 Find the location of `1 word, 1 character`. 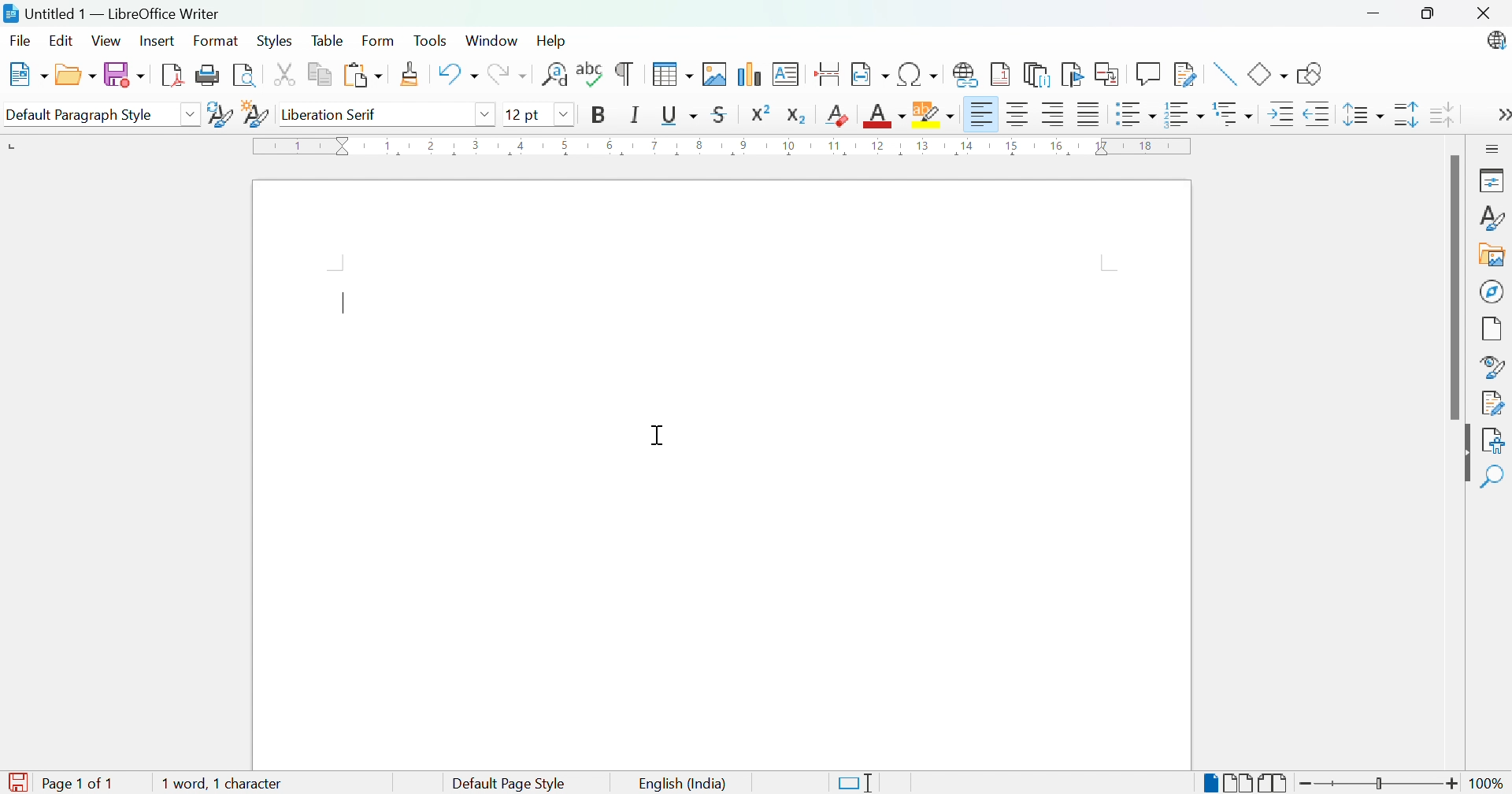

1 word, 1 character is located at coordinates (222, 785).